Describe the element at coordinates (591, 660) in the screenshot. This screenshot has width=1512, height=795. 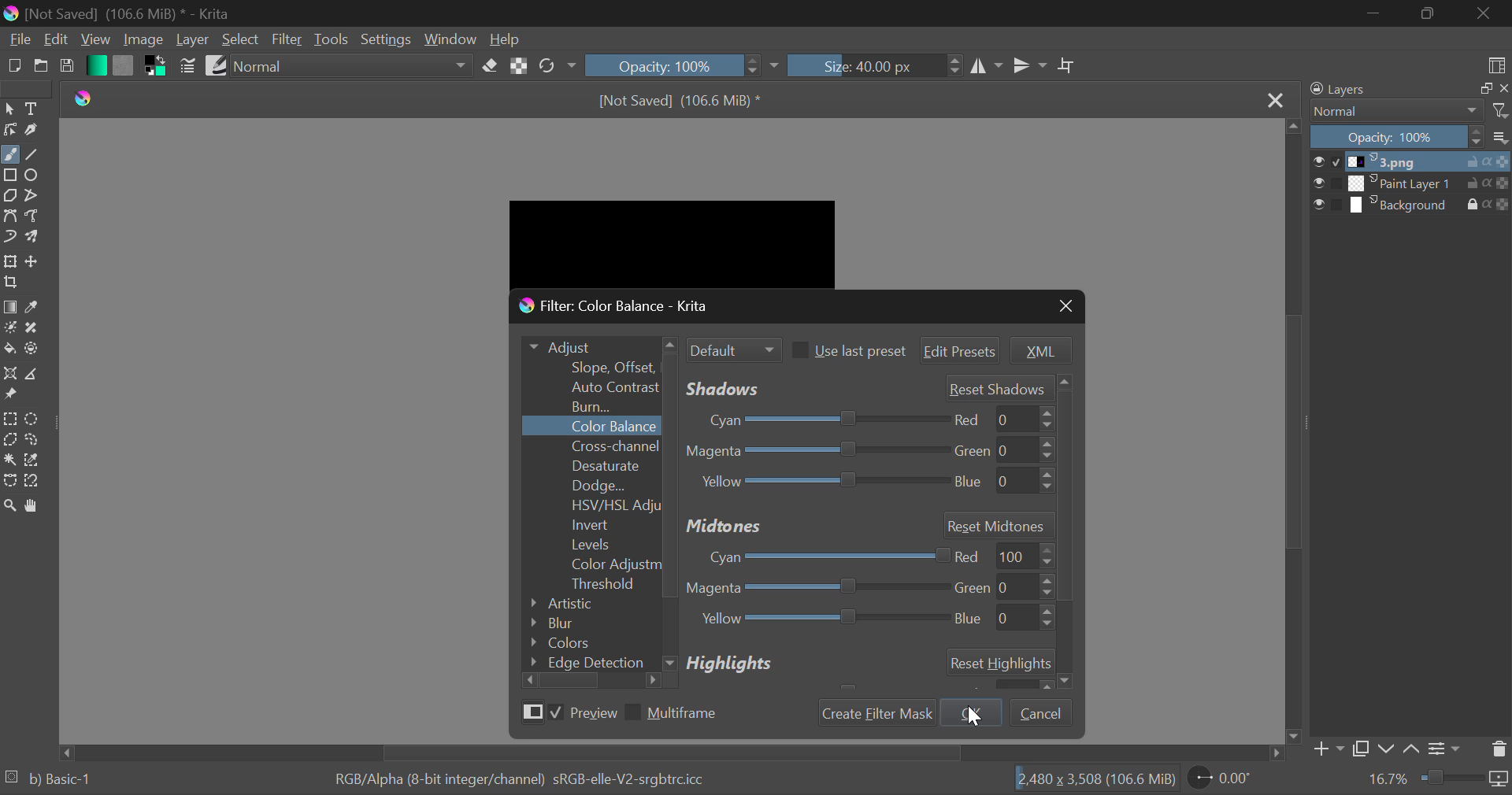
I see `Edge Detection` at that location.